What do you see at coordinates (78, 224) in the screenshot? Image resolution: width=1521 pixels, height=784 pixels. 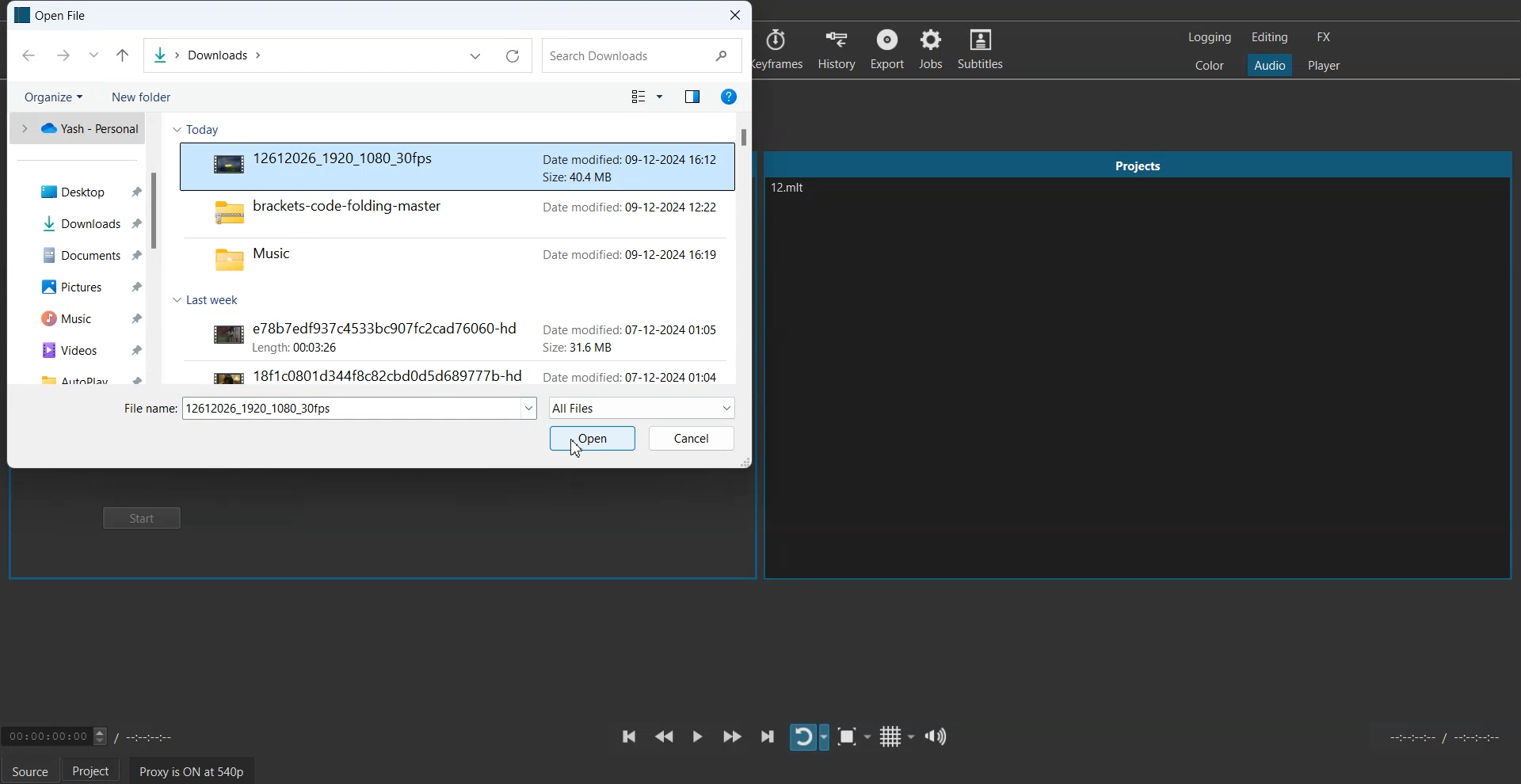 I see `Downloads` at bounding box center [78, 224].